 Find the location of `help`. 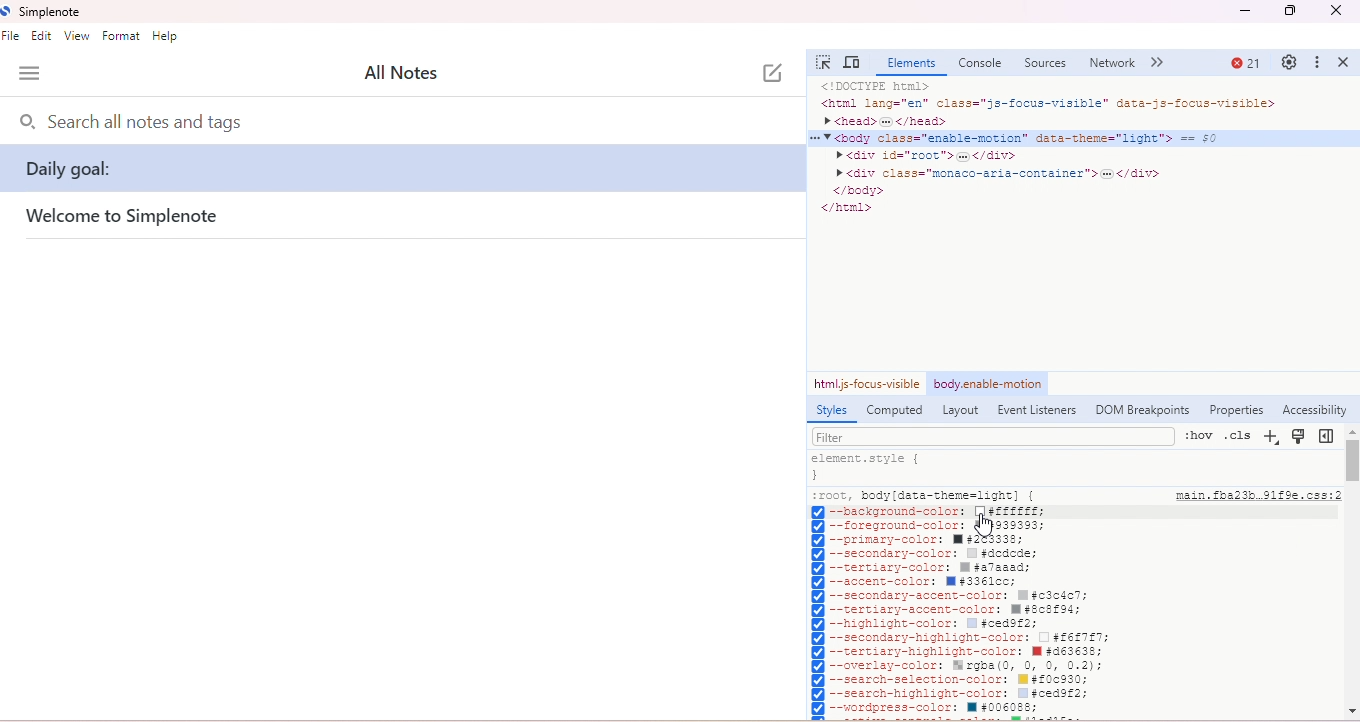

help is located at coordinates (167, 36).